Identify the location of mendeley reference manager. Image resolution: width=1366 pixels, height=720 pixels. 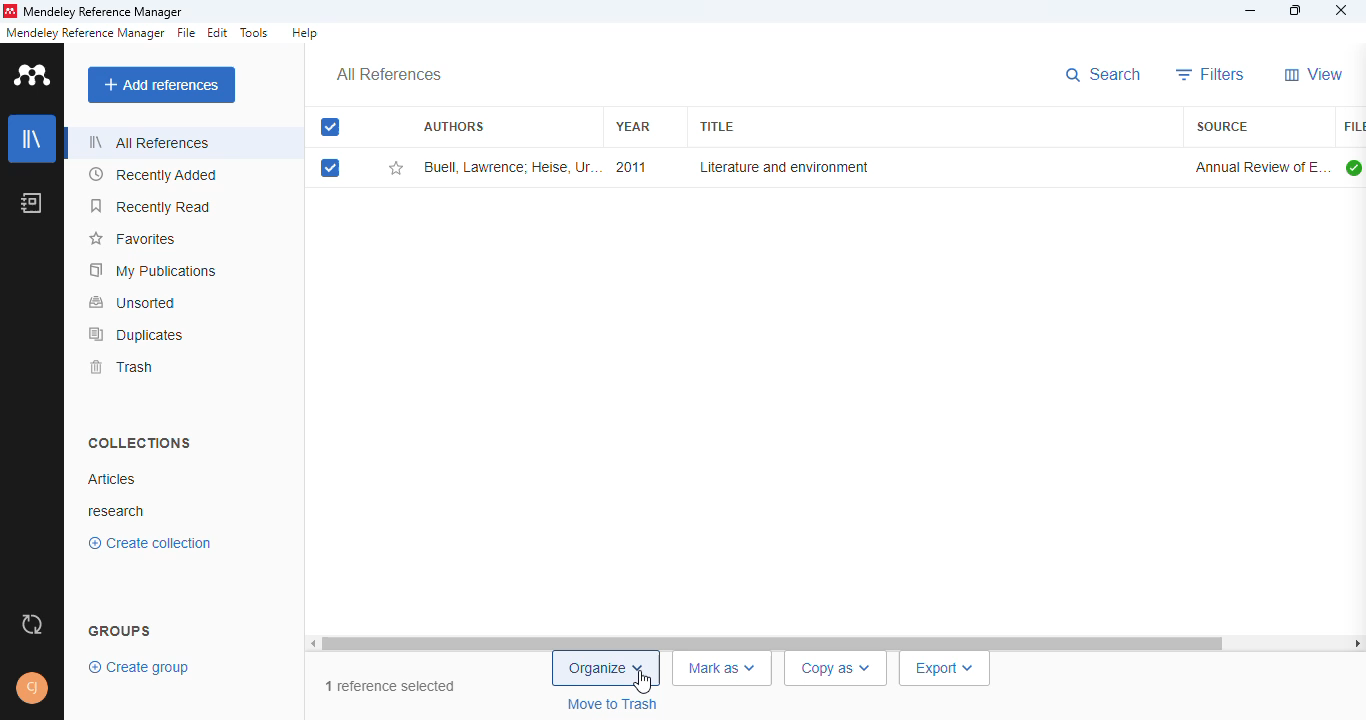
(85, 33).